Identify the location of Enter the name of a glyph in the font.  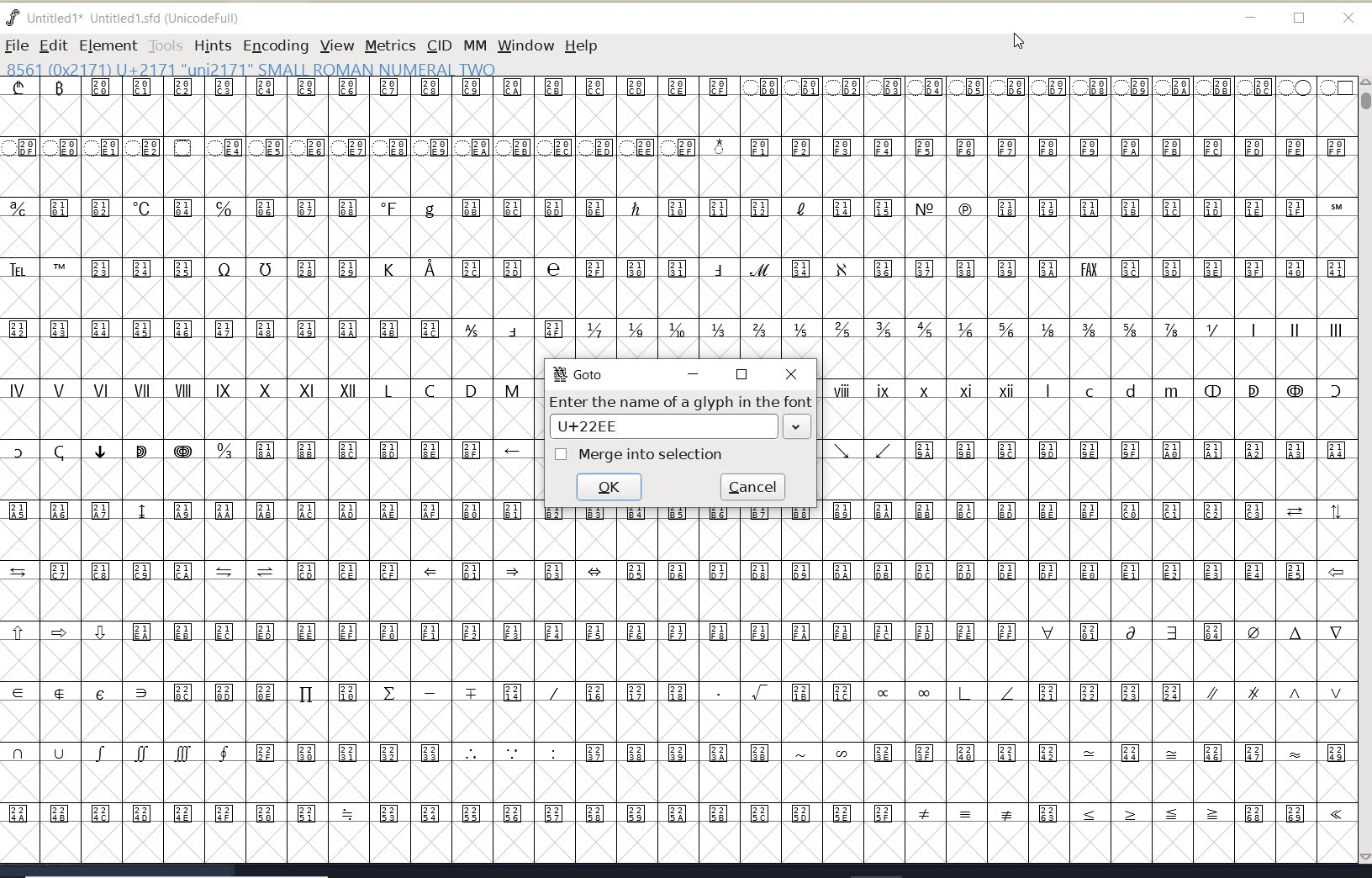
(681, 402).